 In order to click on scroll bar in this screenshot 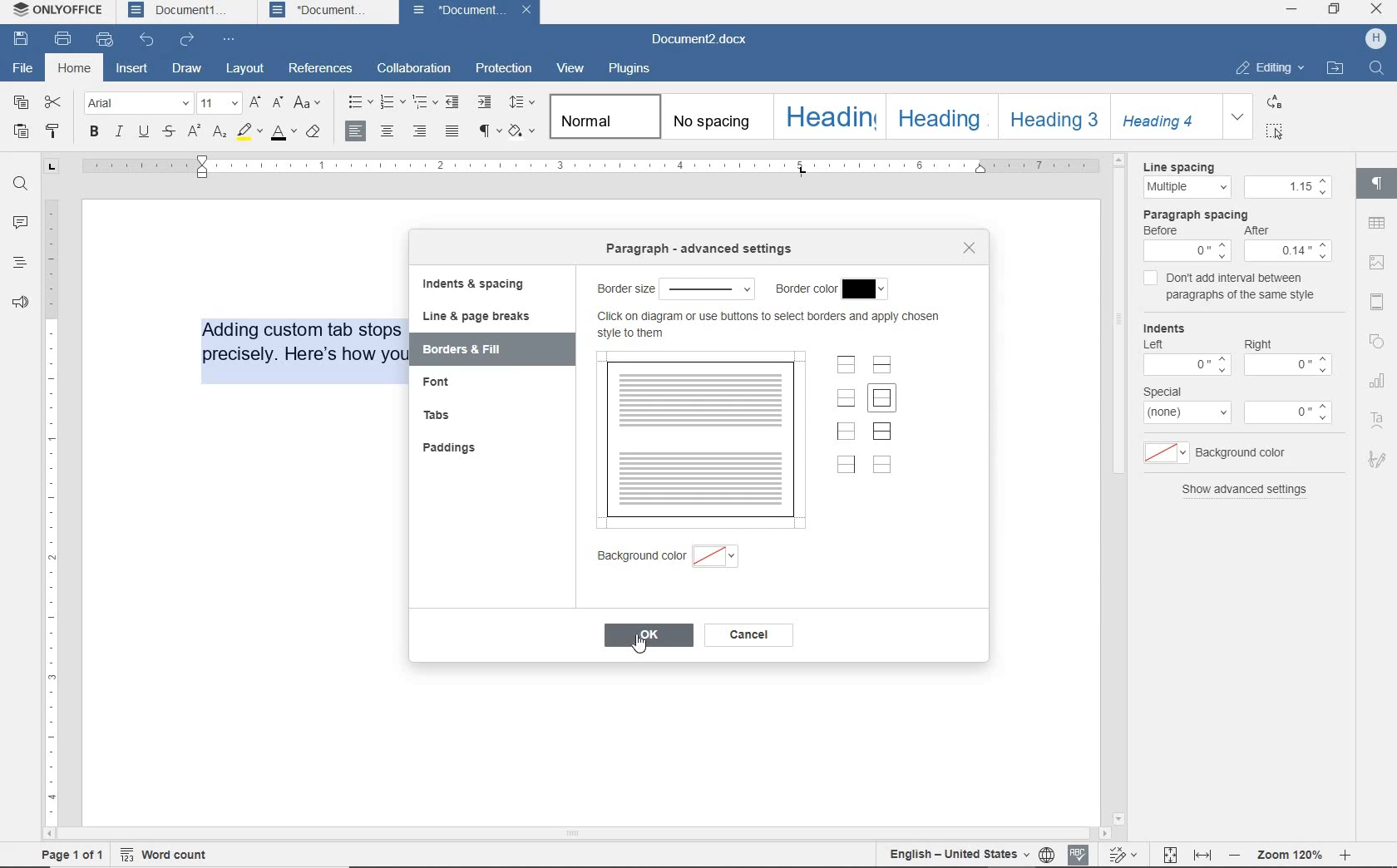, I will do `click(1117, 488)`.